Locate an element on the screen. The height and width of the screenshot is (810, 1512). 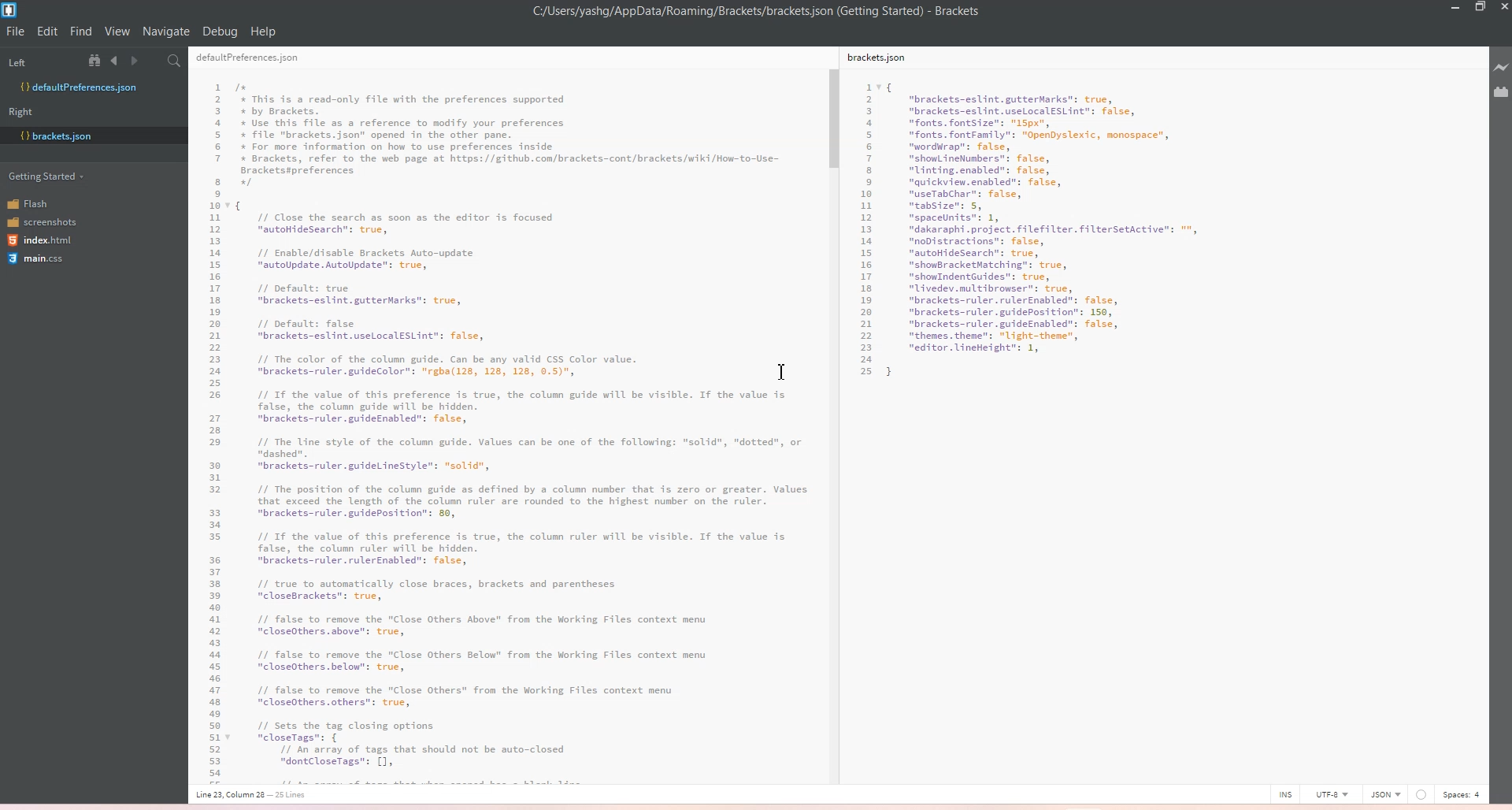
View is located at coordinates (117, 32).